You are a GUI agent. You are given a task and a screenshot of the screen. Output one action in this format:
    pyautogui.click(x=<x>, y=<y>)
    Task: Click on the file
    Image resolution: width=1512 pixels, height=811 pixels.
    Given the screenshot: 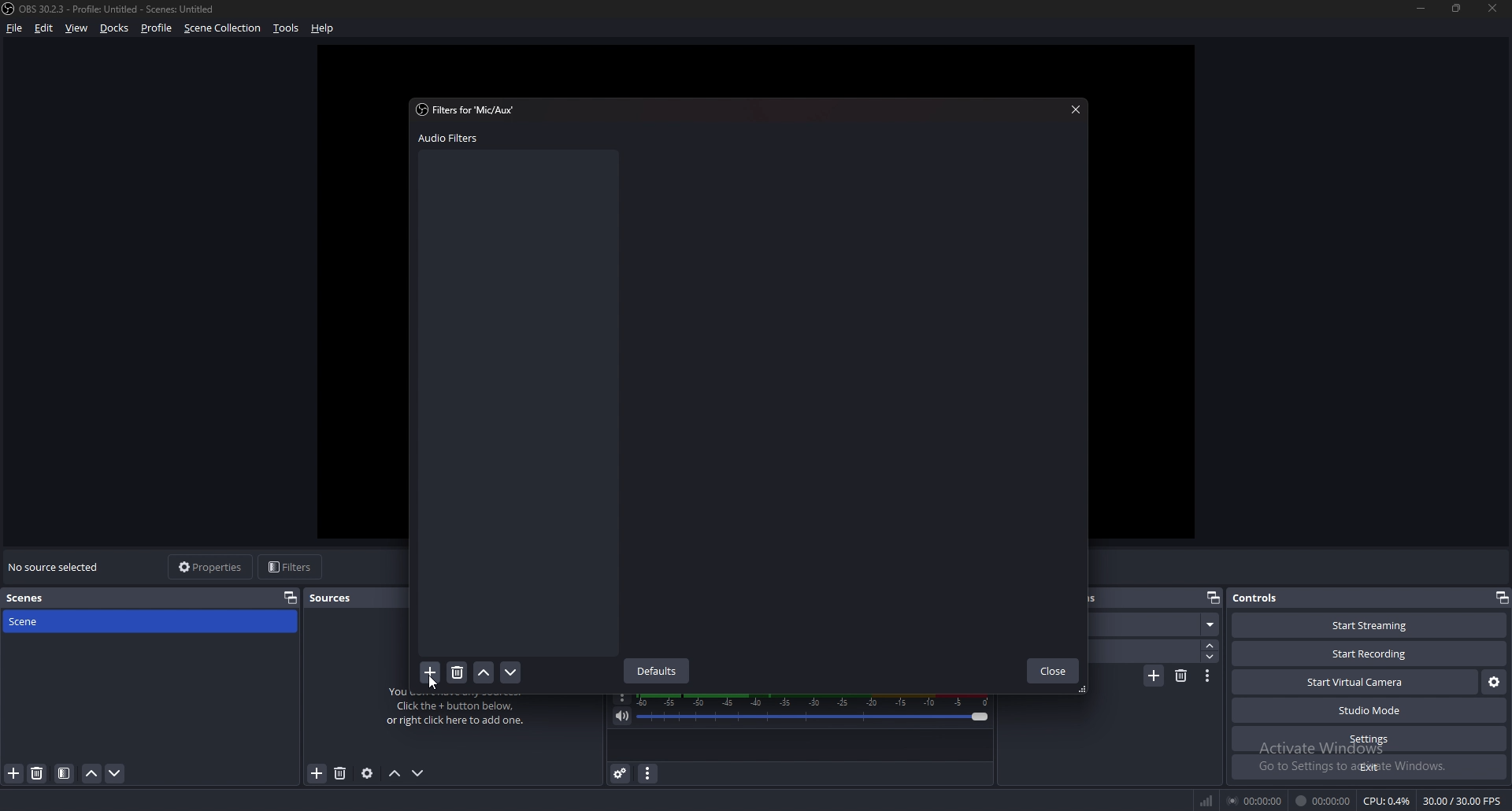 What is the action you would take?
    pyautogui.click(x=14, y=28)
    